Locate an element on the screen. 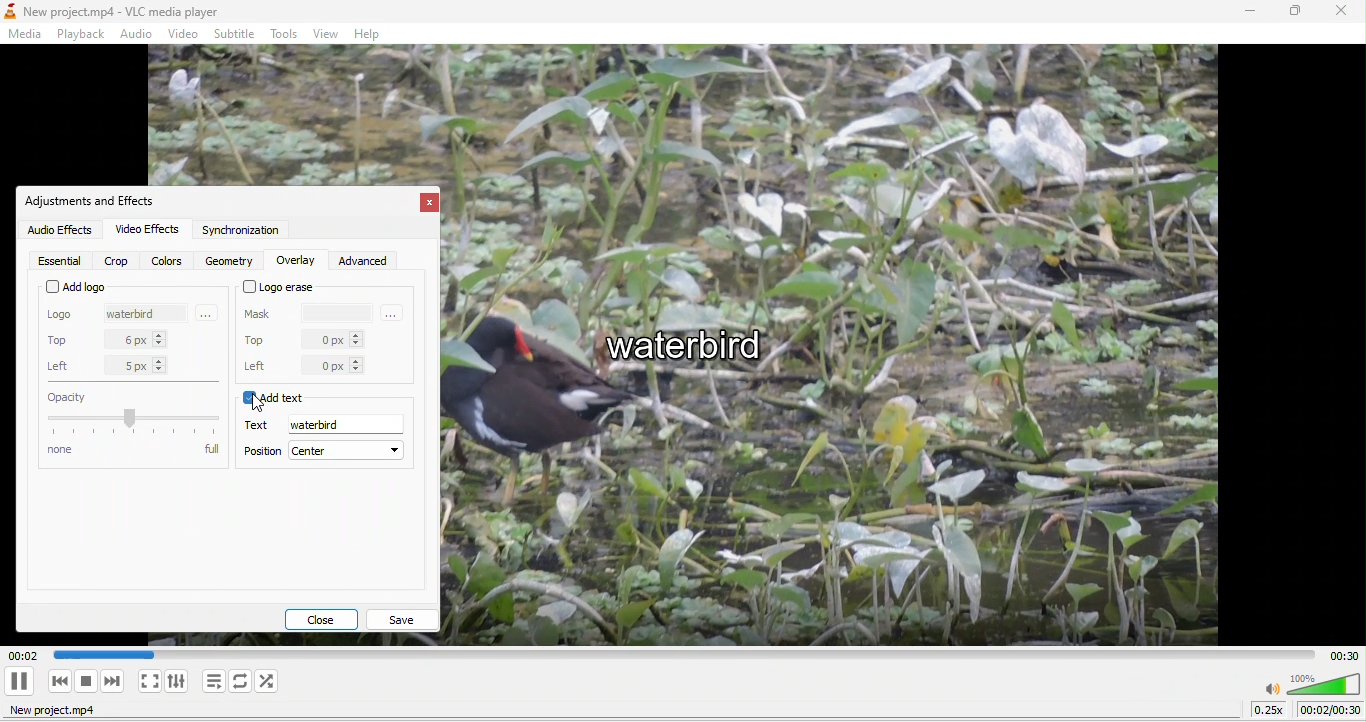 The width and height of the screenshot is (1366, 722). audio effect is located at coordinates (56, 230).